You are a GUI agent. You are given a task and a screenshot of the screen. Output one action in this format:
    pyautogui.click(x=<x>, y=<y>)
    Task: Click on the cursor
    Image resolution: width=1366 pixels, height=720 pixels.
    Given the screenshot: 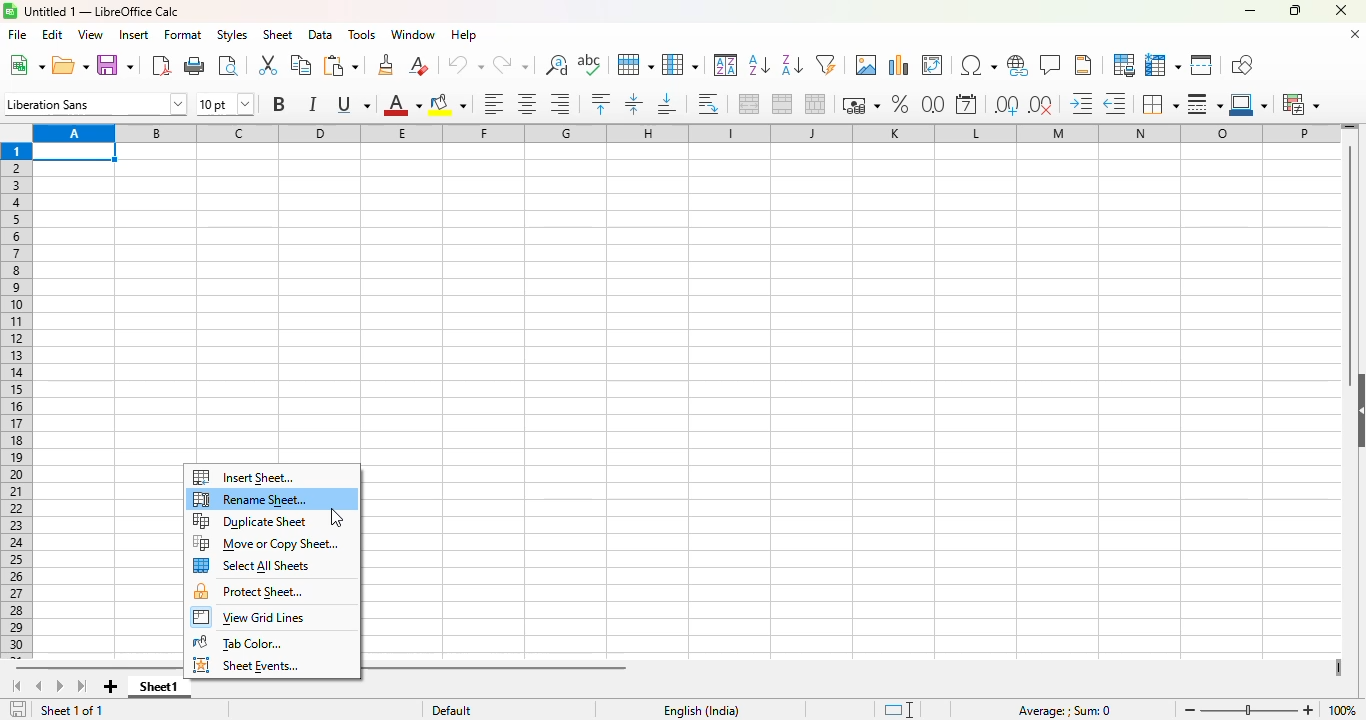 What is the action you would take?
    pyautogui.click(x=336, y=517)
    